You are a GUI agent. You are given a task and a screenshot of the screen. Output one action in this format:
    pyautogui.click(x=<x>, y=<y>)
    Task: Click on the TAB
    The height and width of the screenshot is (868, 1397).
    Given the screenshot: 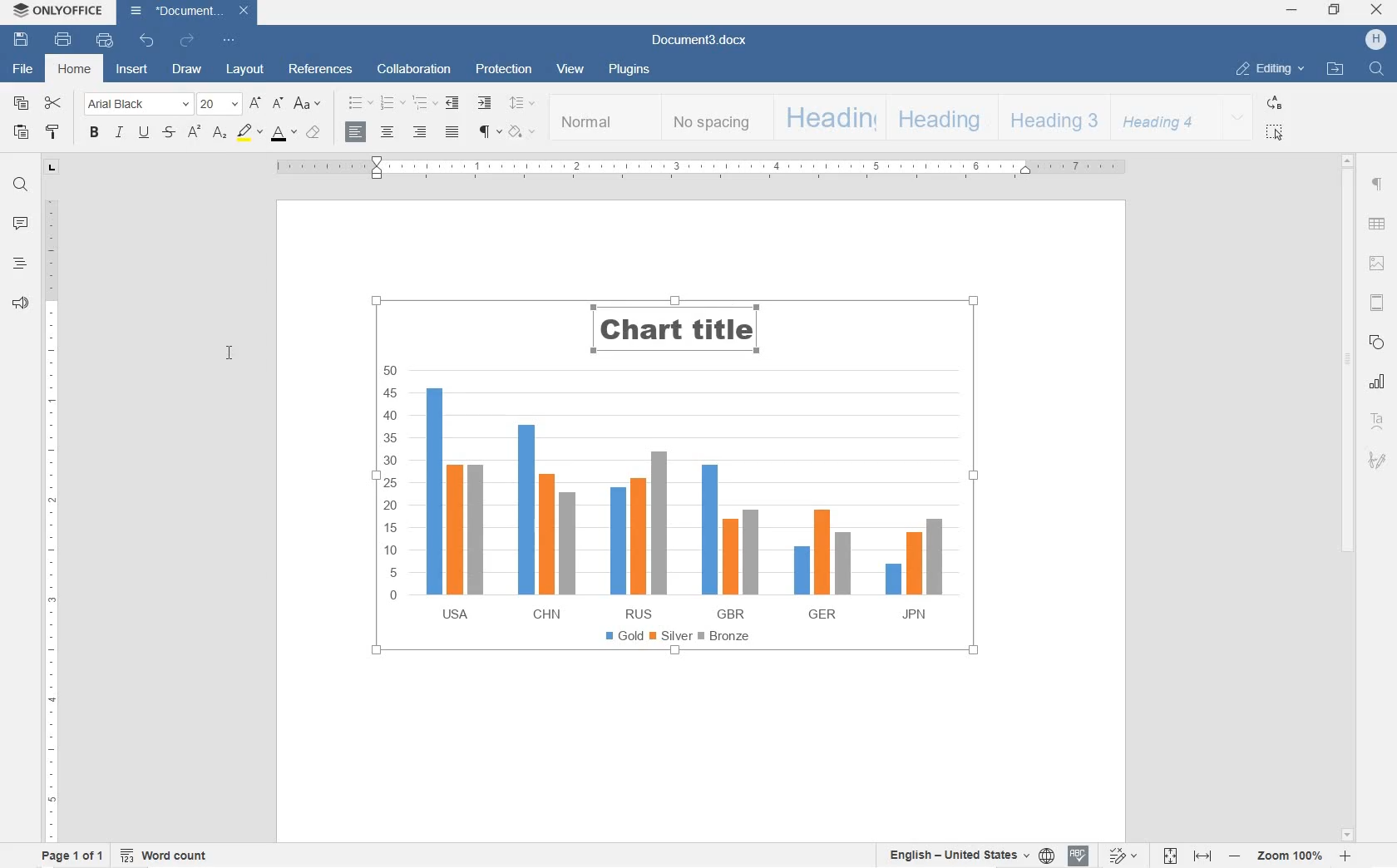 What is the action you would take?
    pyautogui.click(x=52, y=166)
    